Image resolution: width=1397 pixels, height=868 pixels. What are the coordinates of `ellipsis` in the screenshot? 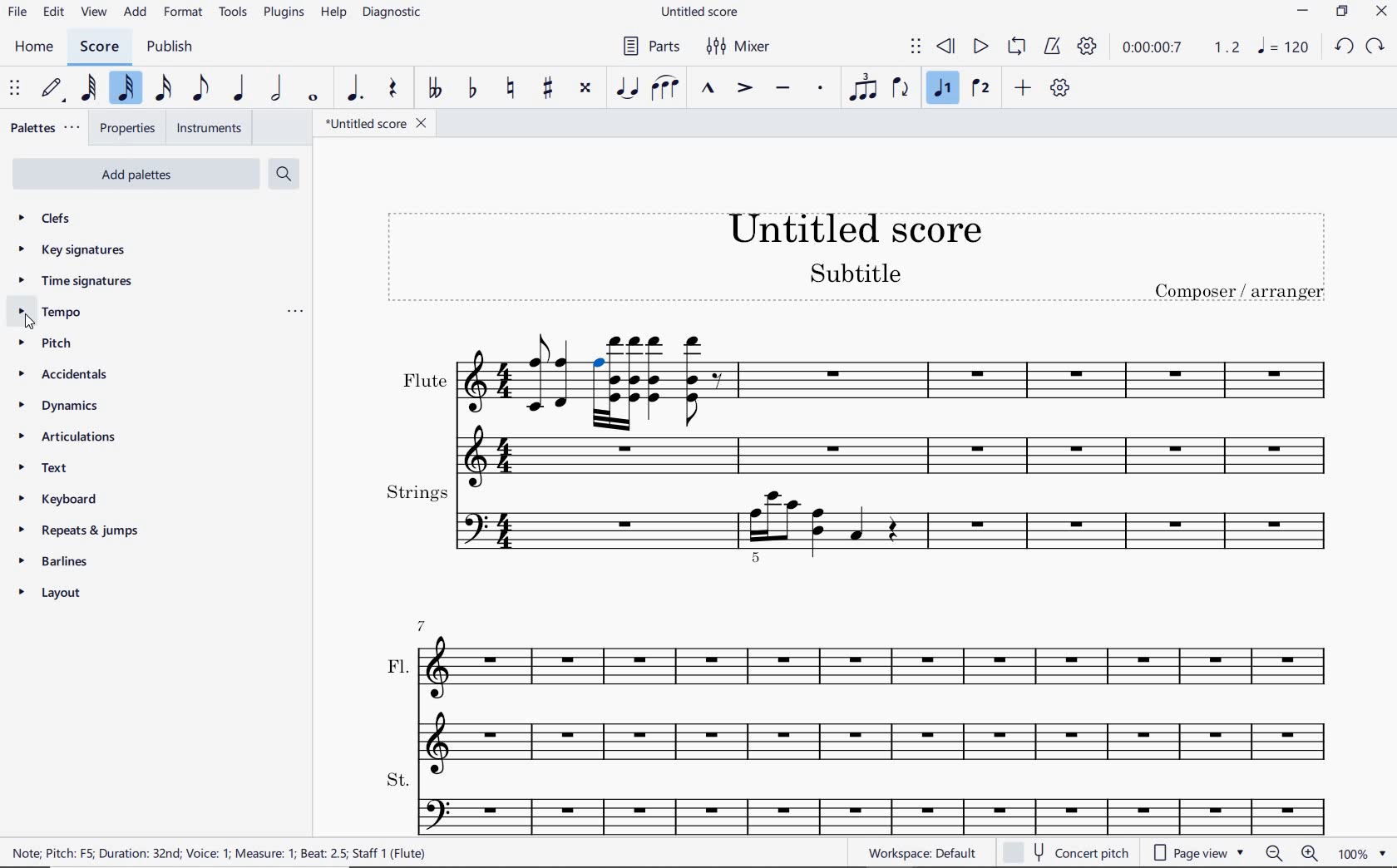 It's located at (292, 308).